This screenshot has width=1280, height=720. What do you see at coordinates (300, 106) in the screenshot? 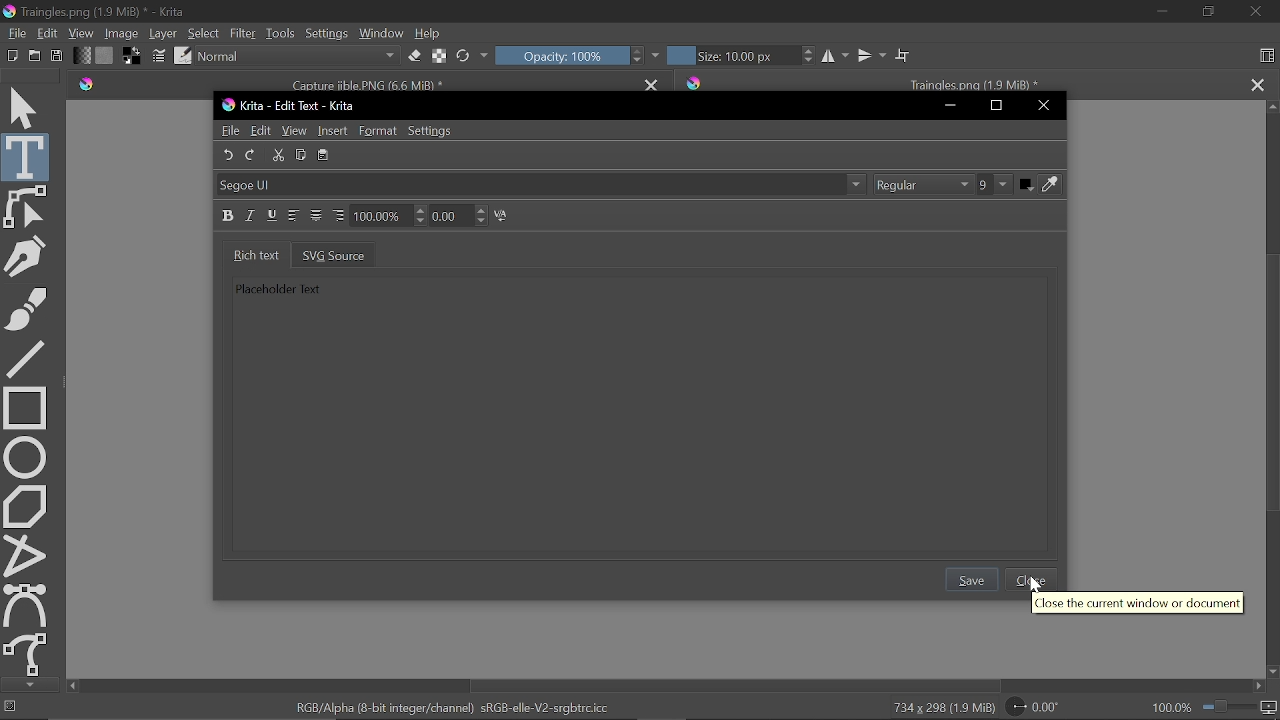
I see `Krita - Edit Text - Krita` at bounding box center [300, 106].